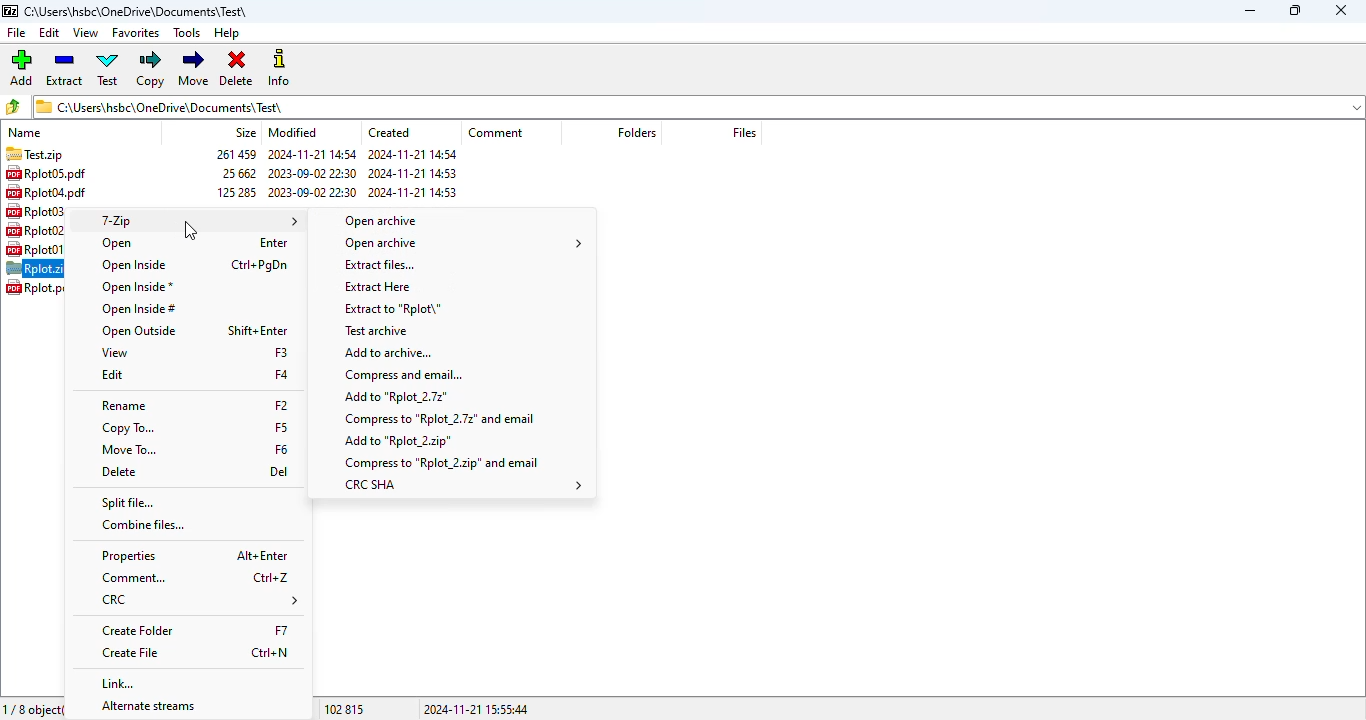 This screenshot has height=720, width=1366. What do you see at coordinates (48, 212) in the screenshot?
I see `Rplot03.pdf` at bounding box center [48, 212].